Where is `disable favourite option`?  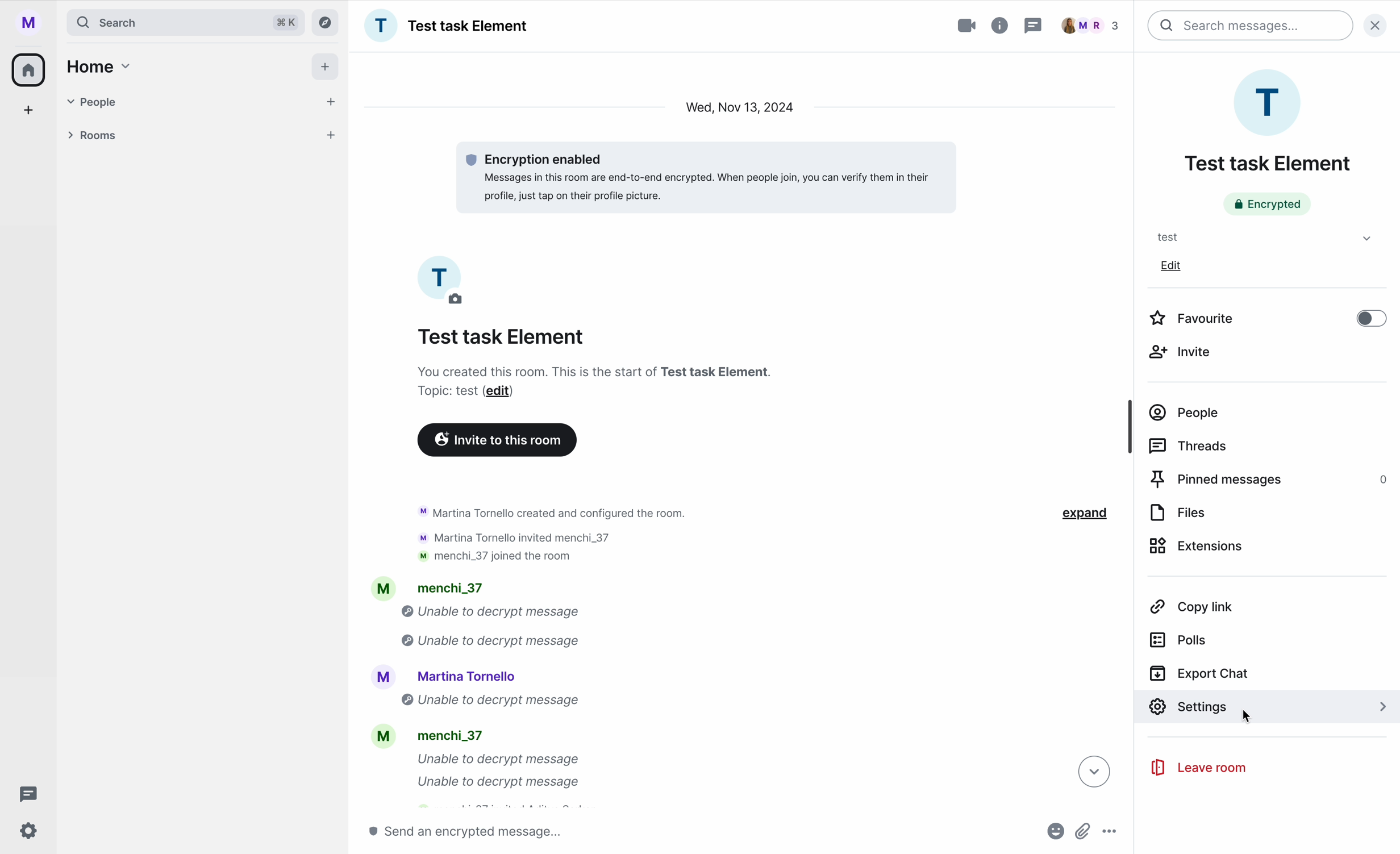 disable favourite option is located at coordinates (1268, 316).